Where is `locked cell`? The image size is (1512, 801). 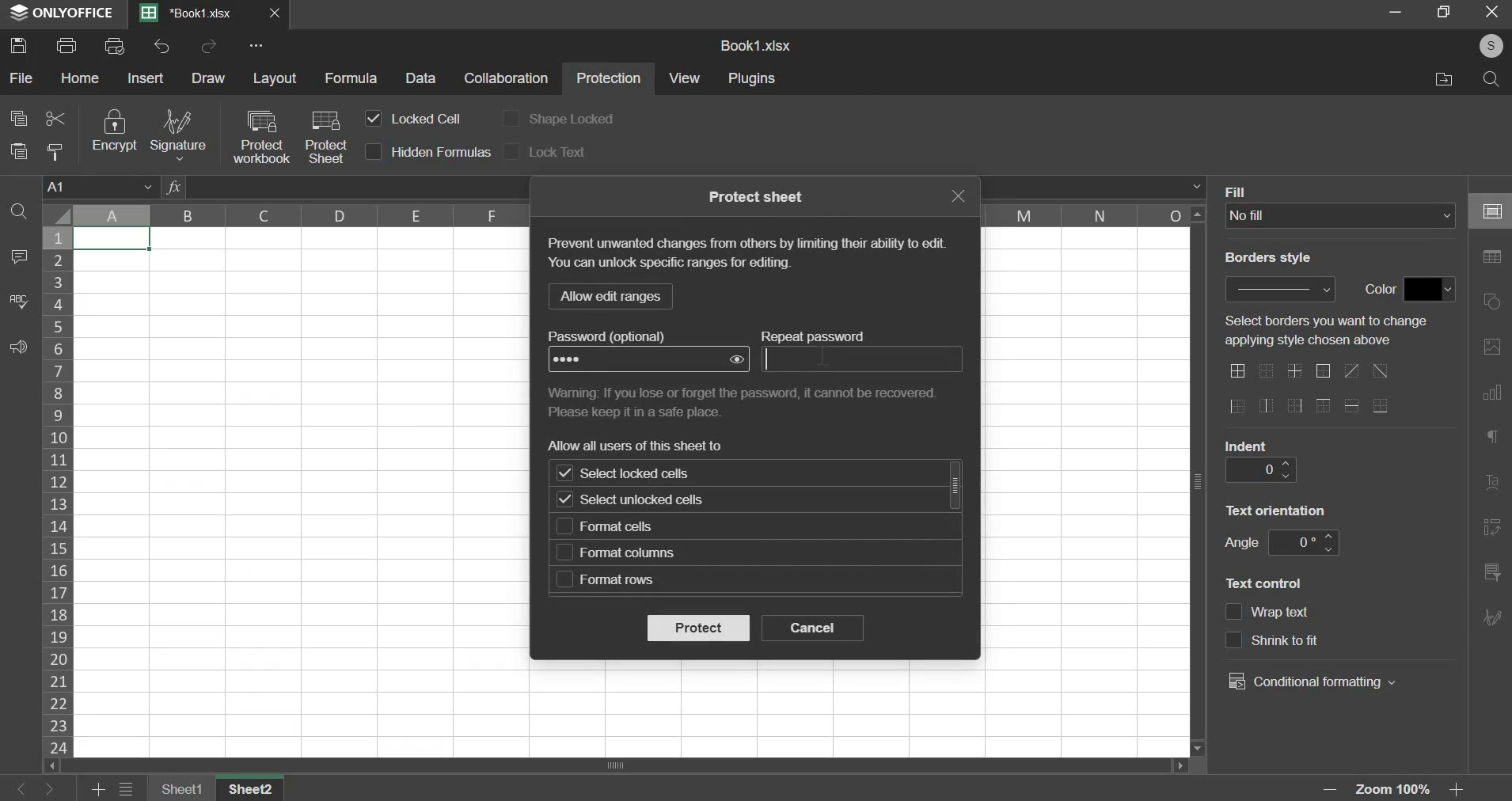 locked cell is located at coordinates (424, 118).